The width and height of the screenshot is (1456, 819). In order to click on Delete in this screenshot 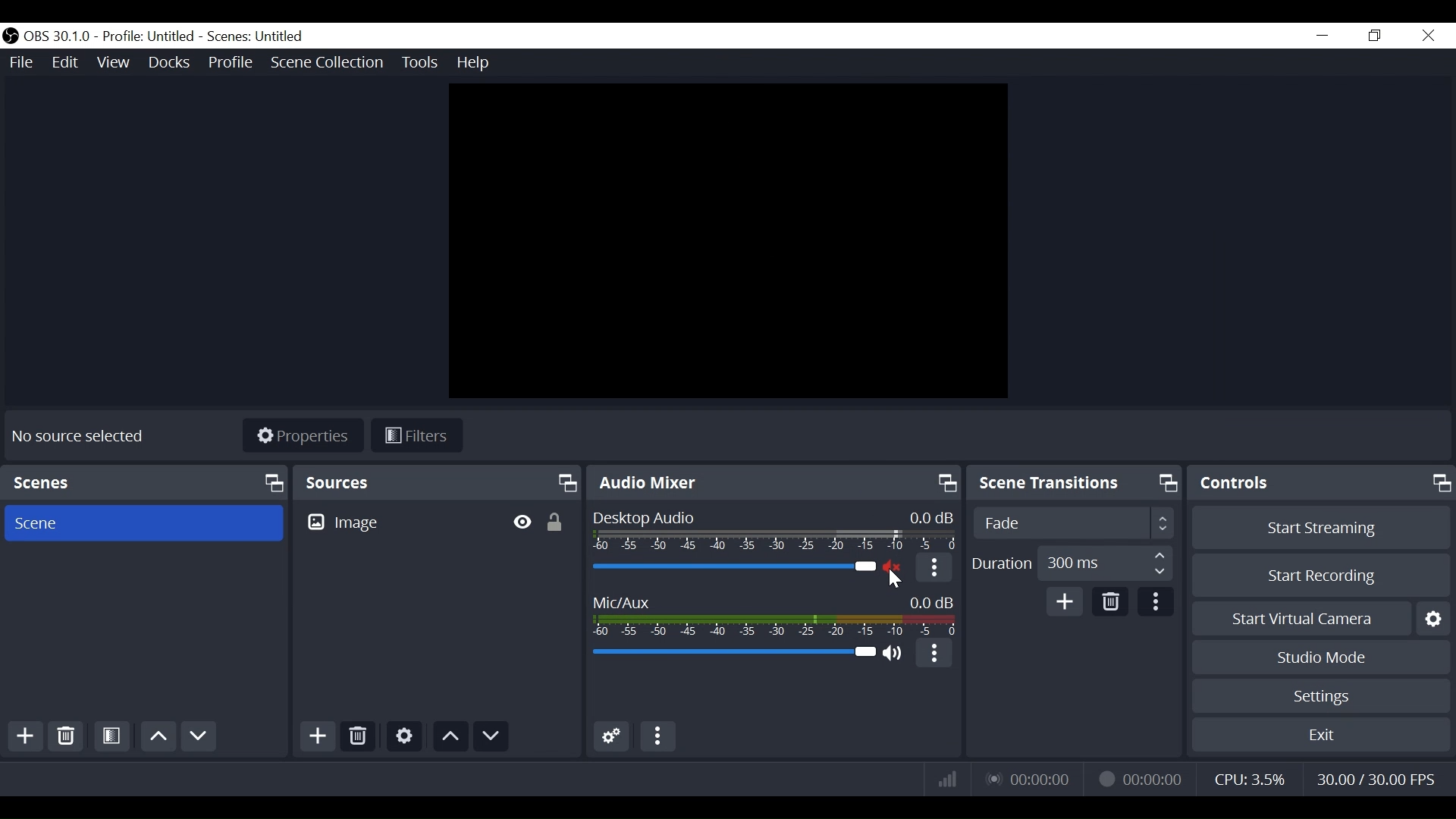, I will do `click(356, 736)`.